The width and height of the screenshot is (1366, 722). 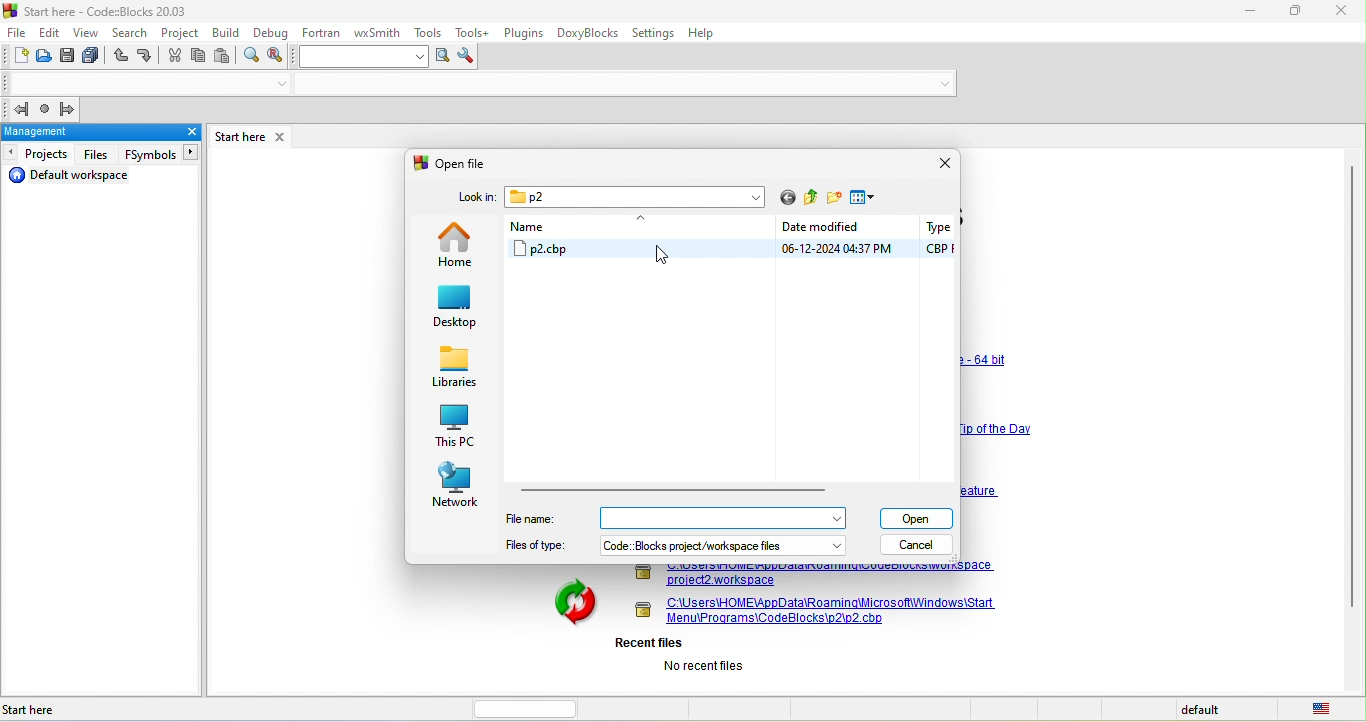 I want to click on this pc, so click(x=458, y=427).